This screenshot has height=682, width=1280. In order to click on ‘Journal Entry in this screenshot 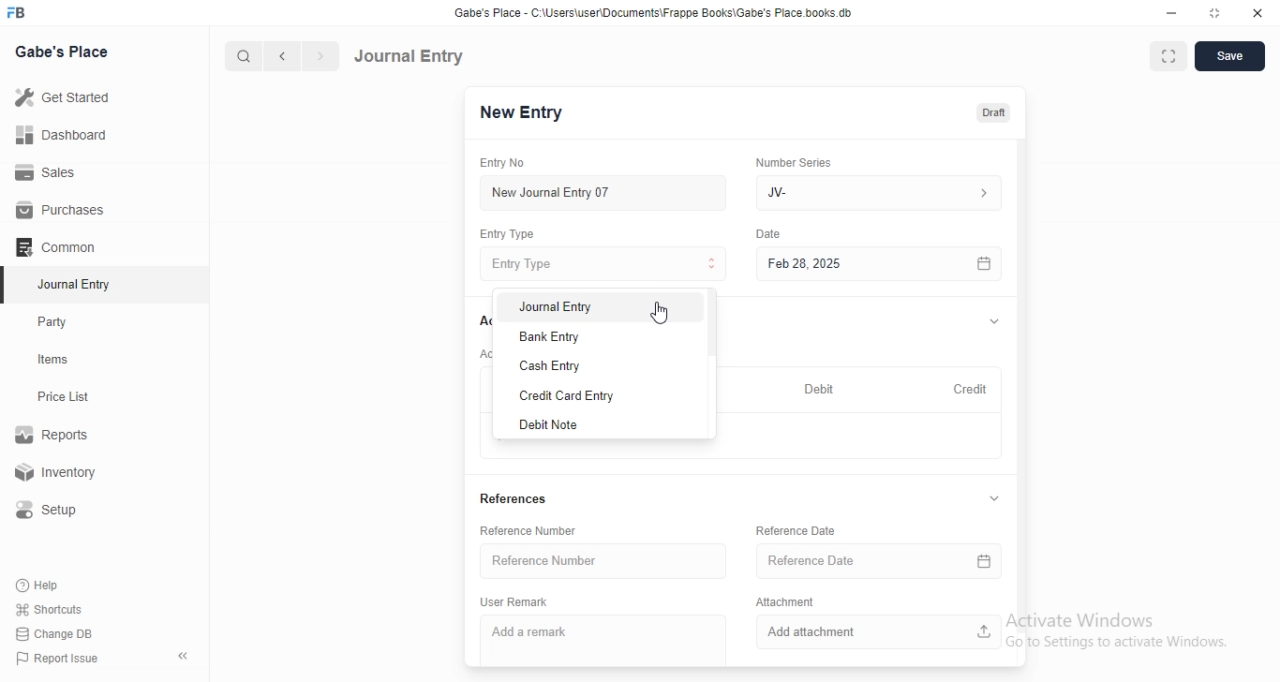, I will do `click(77, 284)`.